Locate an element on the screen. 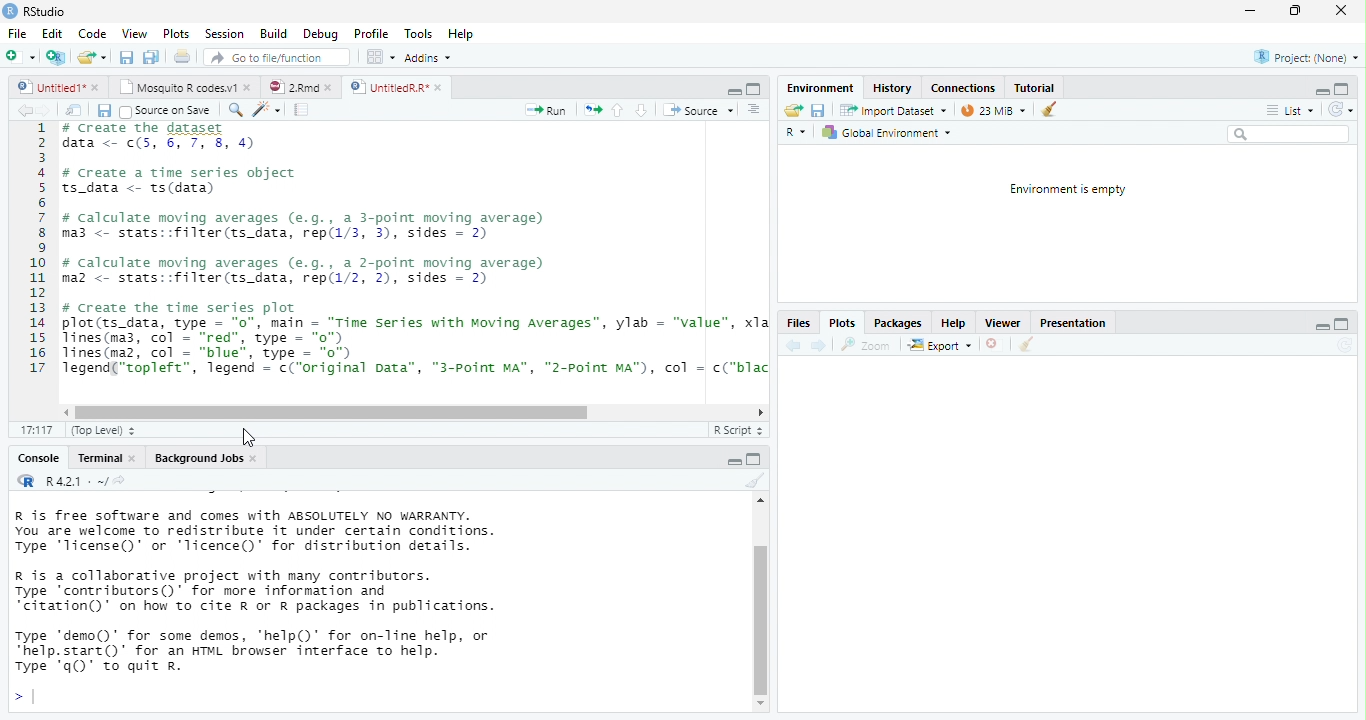 Image resolution: width=1366 pixels, height=720 pixels. ‘Environment is located at coordinates (819, 88).